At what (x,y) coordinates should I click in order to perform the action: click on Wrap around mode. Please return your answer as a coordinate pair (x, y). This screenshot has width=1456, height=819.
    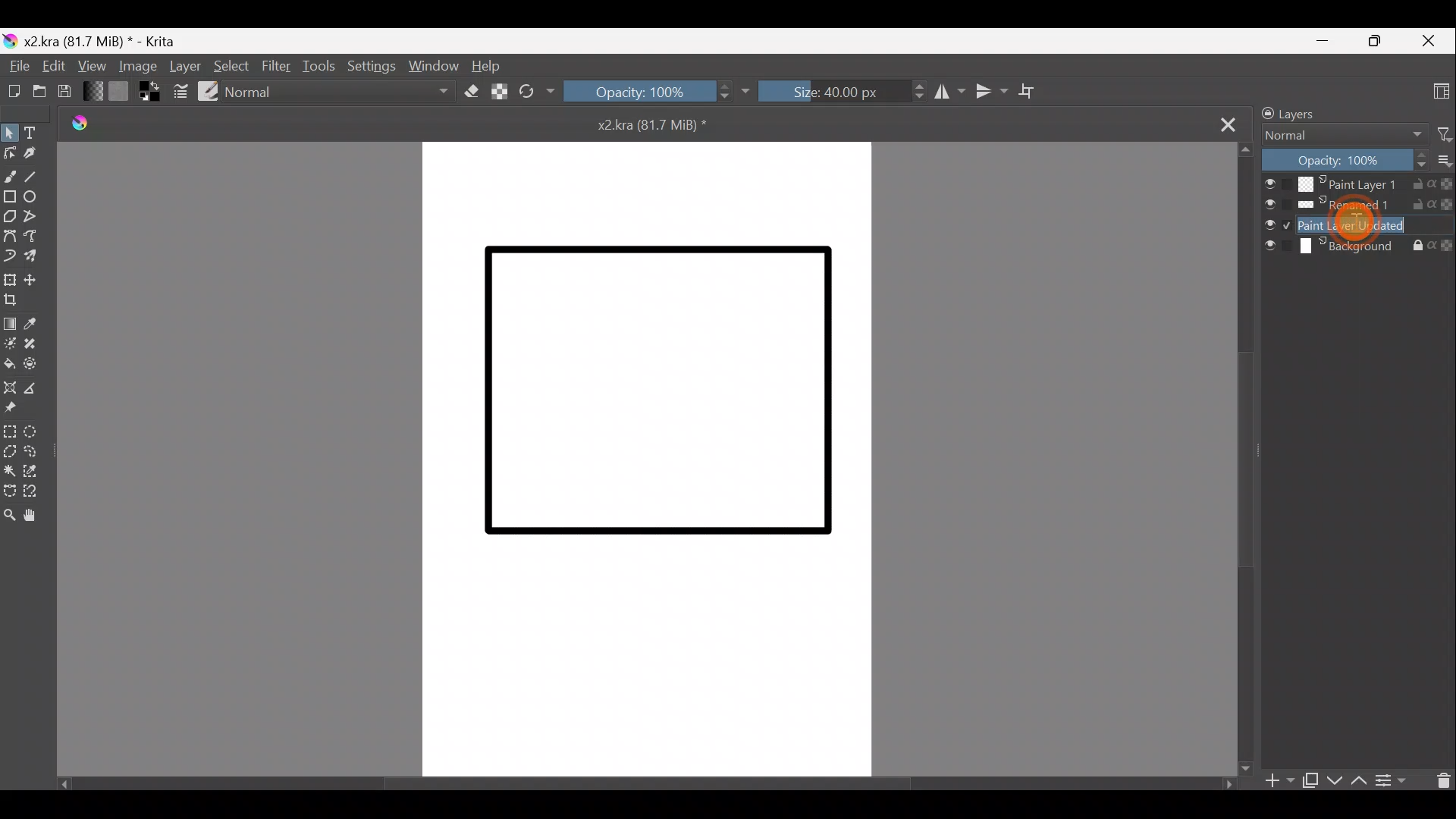
    Looking at the image, I should click on (1032, 90).